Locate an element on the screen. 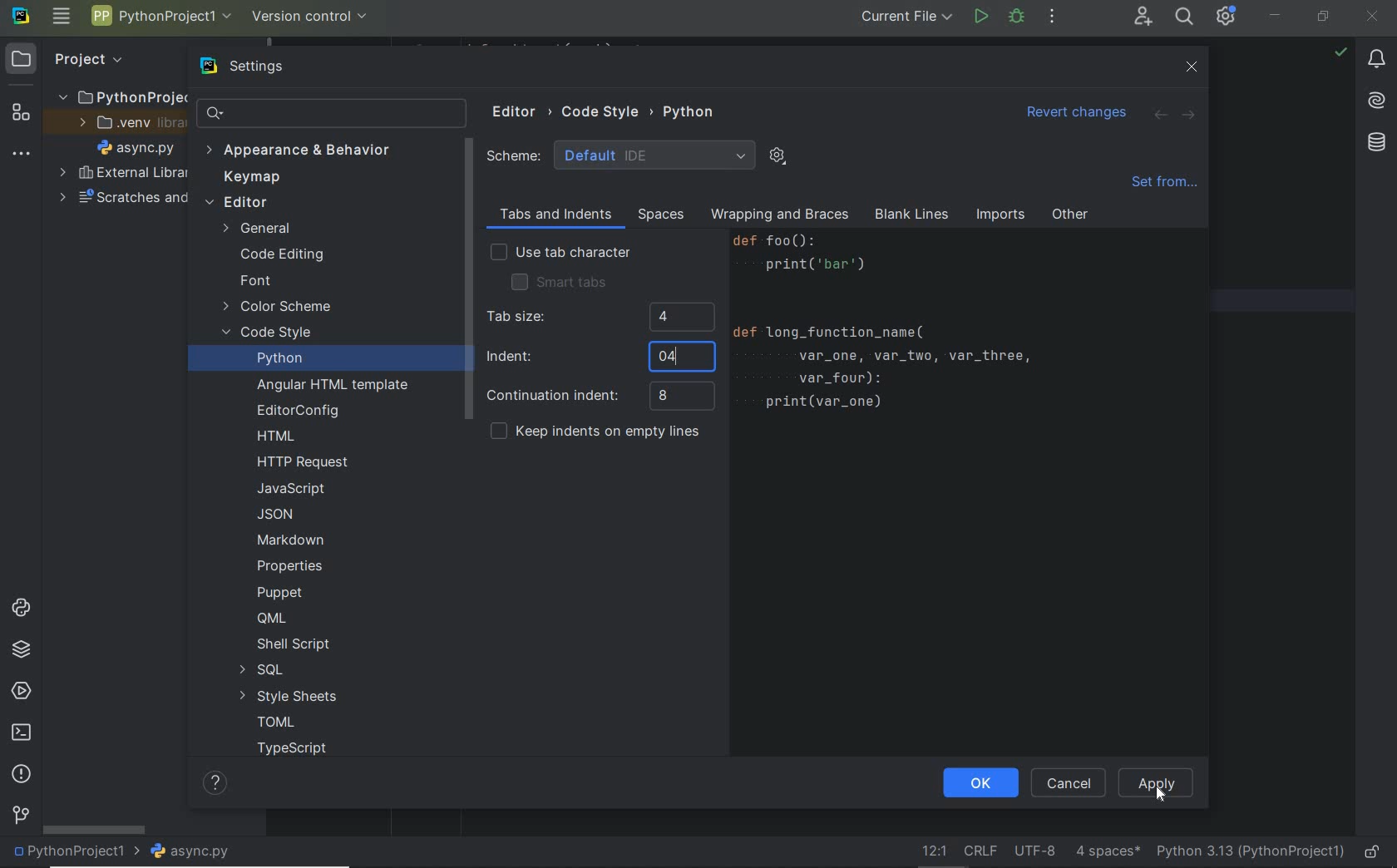 This screenshot has width=1397, height=868. cancel is located at coordinates (1070, 784).